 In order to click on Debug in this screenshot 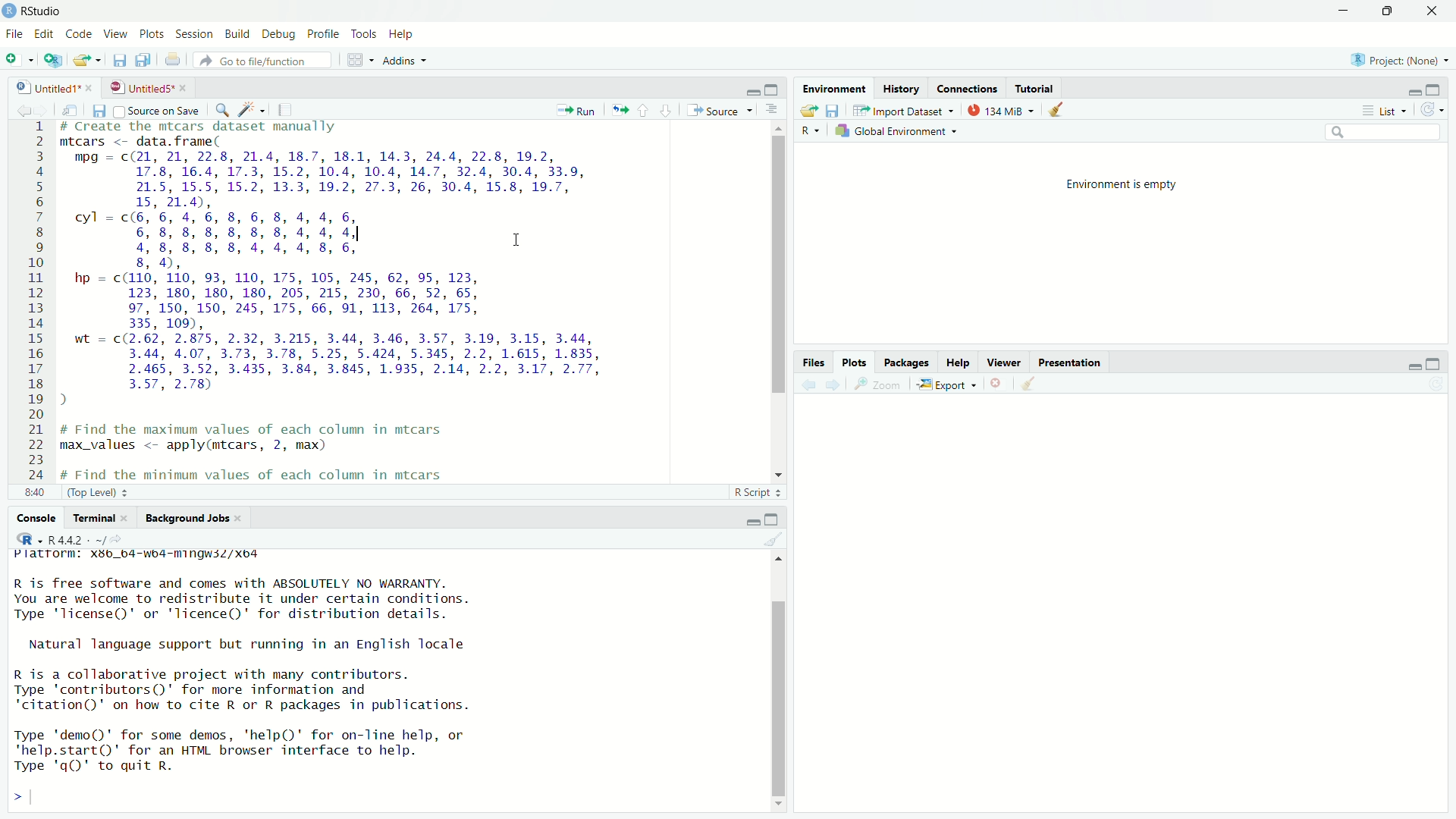, I will do `click(278, 33)`.